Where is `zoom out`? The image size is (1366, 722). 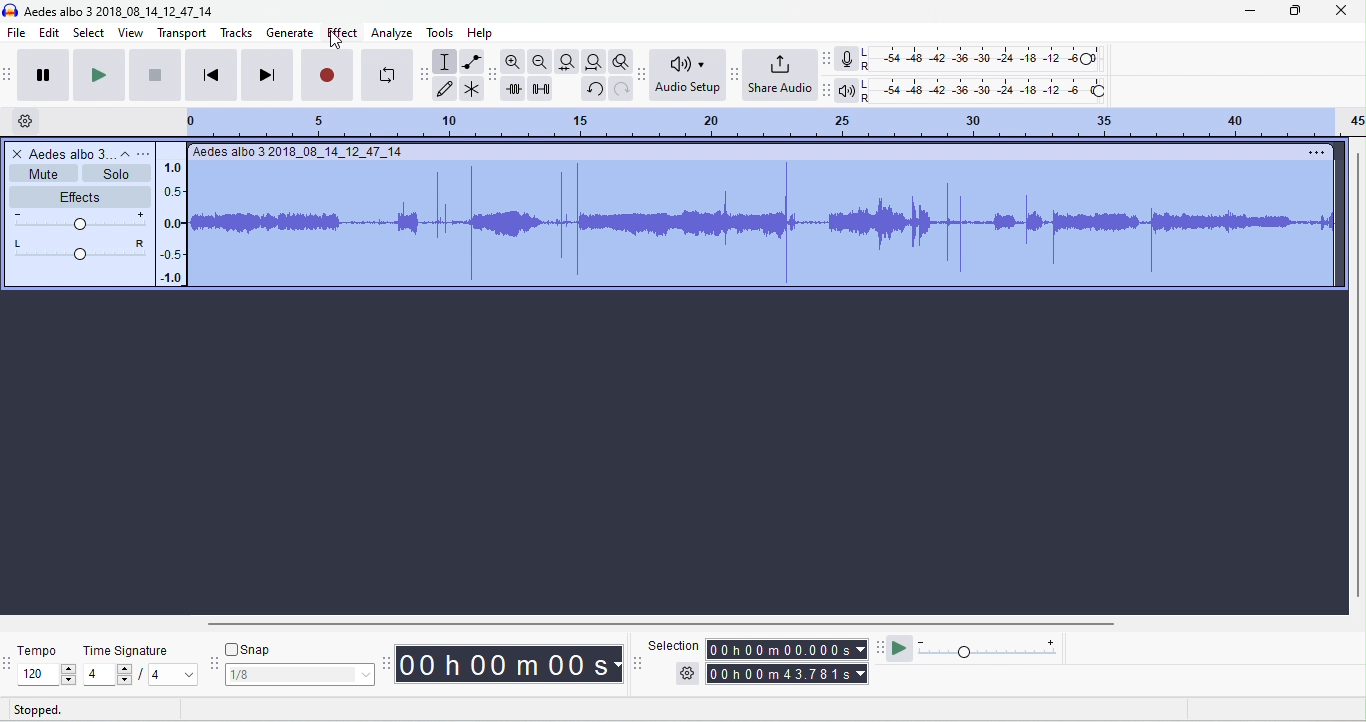
zoom out is located at coordinates (540, 62).